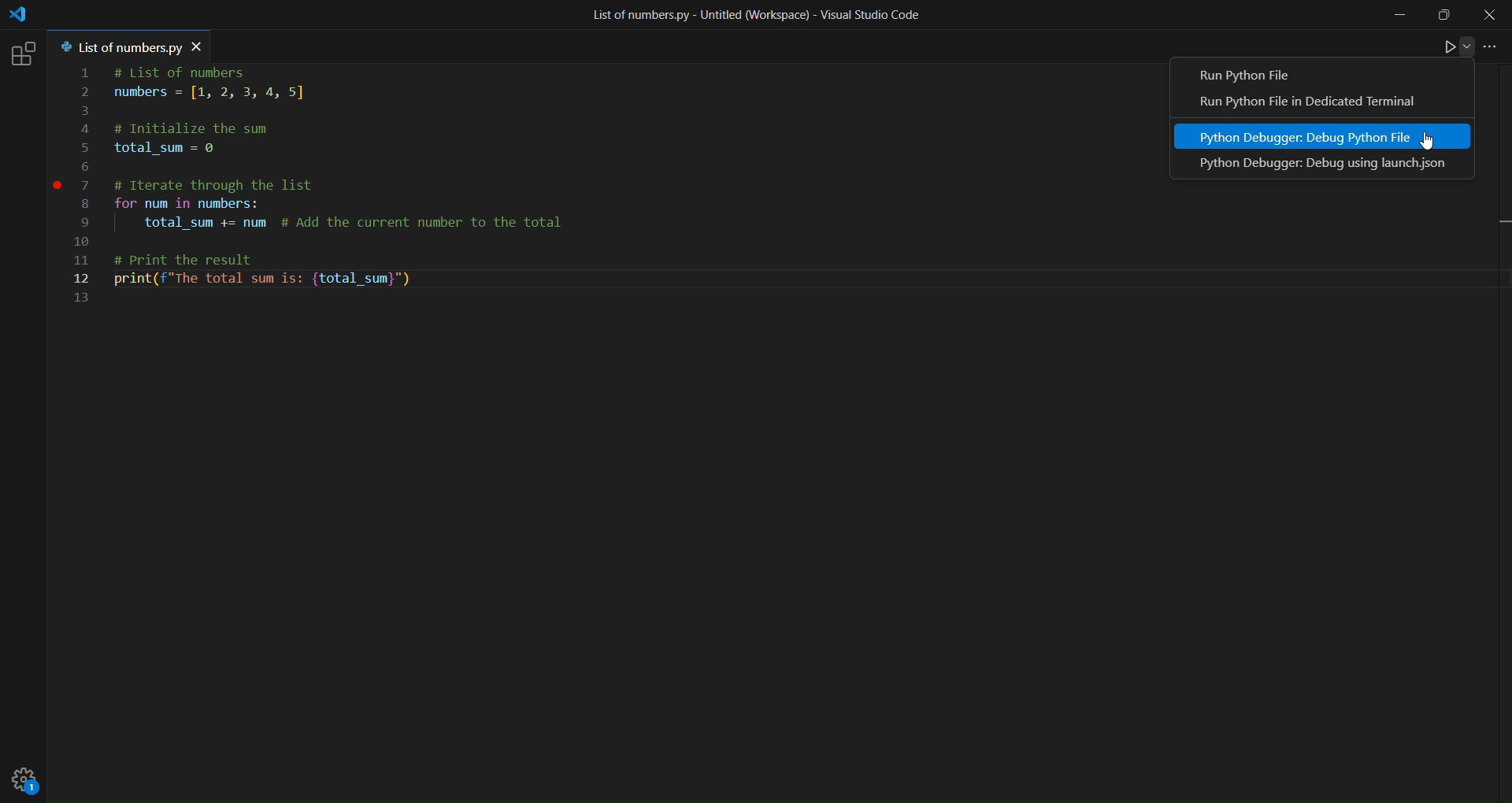  What do you see at coordinates (200, 46) in the screenshot?
I see `close tab` at bounding box center [200, 46].